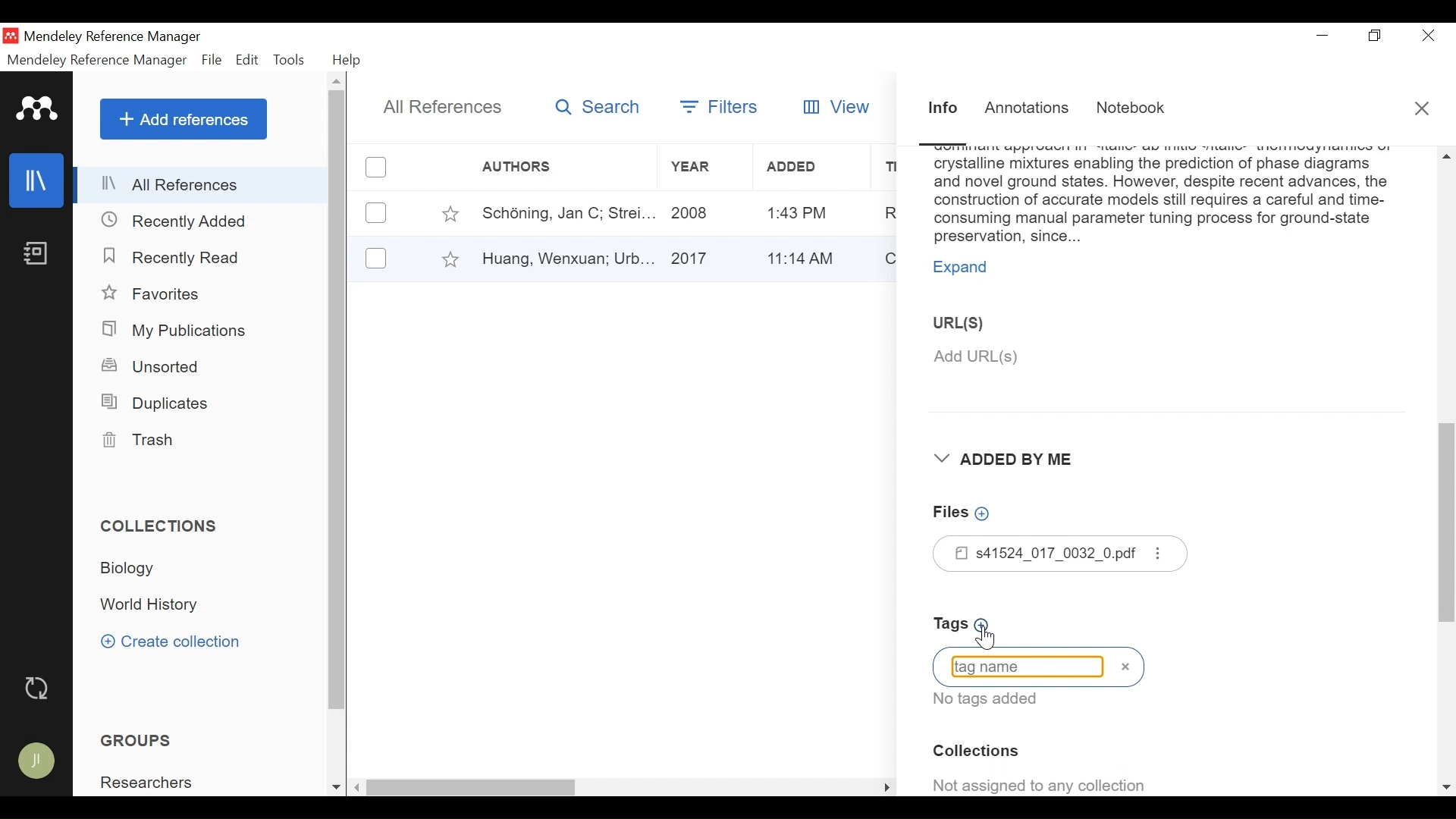  What do you see at coordinates (1430, 35) in the screenshot?
I see `Close` at bounding box center [1430, 35].